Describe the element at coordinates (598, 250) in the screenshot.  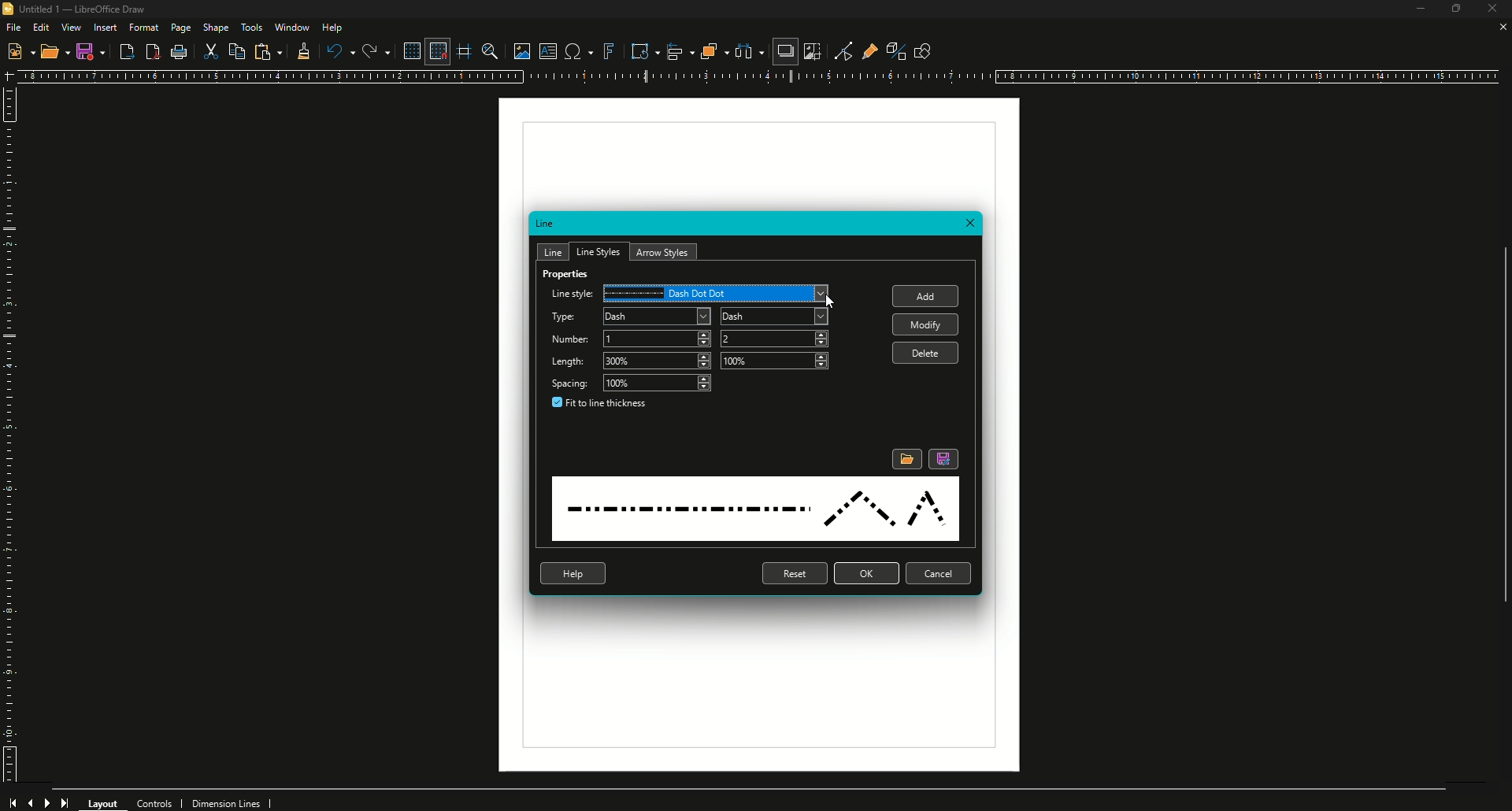
I see `Line Styles` at that location.